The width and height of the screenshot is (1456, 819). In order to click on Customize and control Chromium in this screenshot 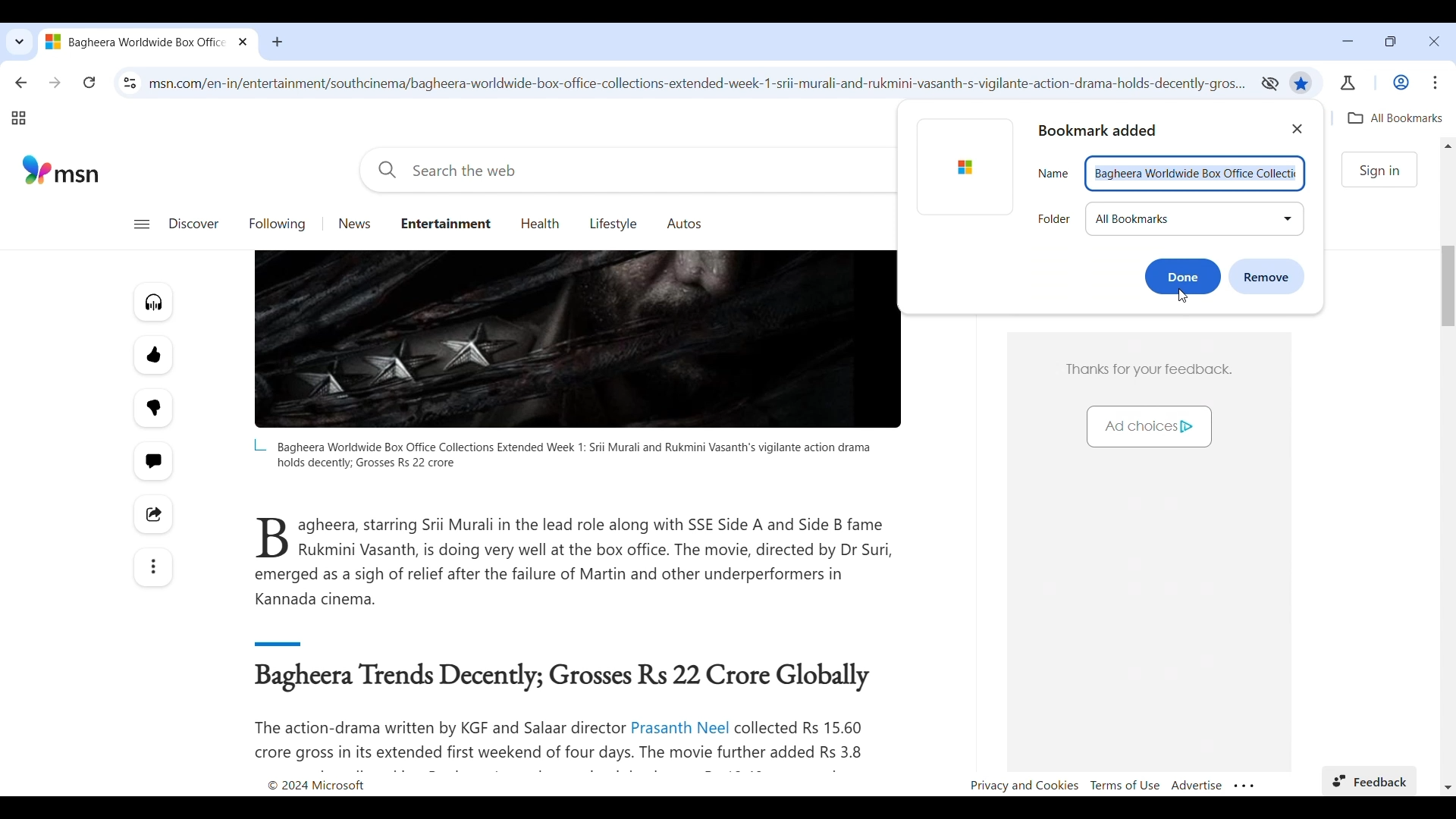, I will do `click(1436, 82)`.